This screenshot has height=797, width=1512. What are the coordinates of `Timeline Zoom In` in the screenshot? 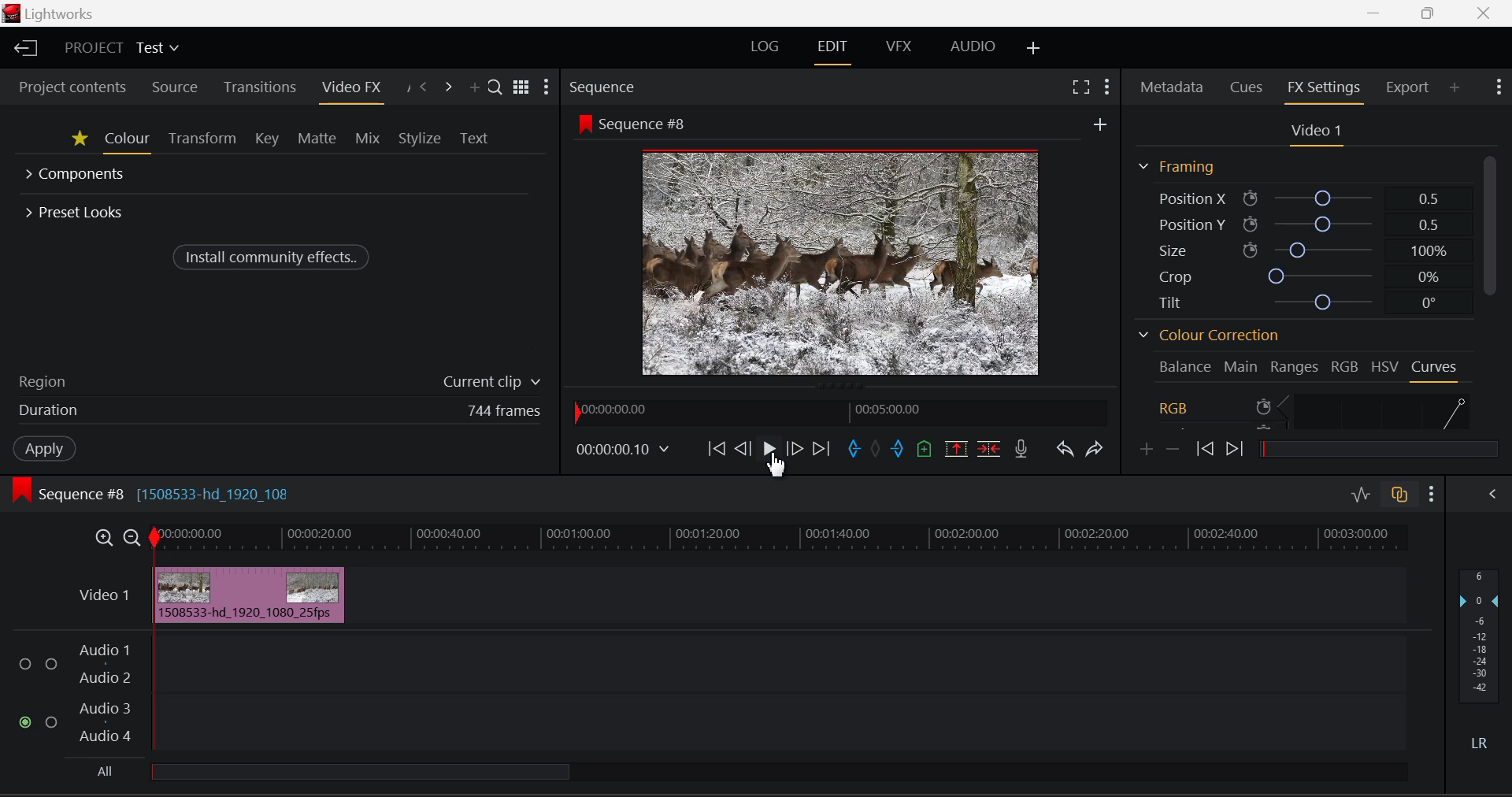 It's located at (103, 539).